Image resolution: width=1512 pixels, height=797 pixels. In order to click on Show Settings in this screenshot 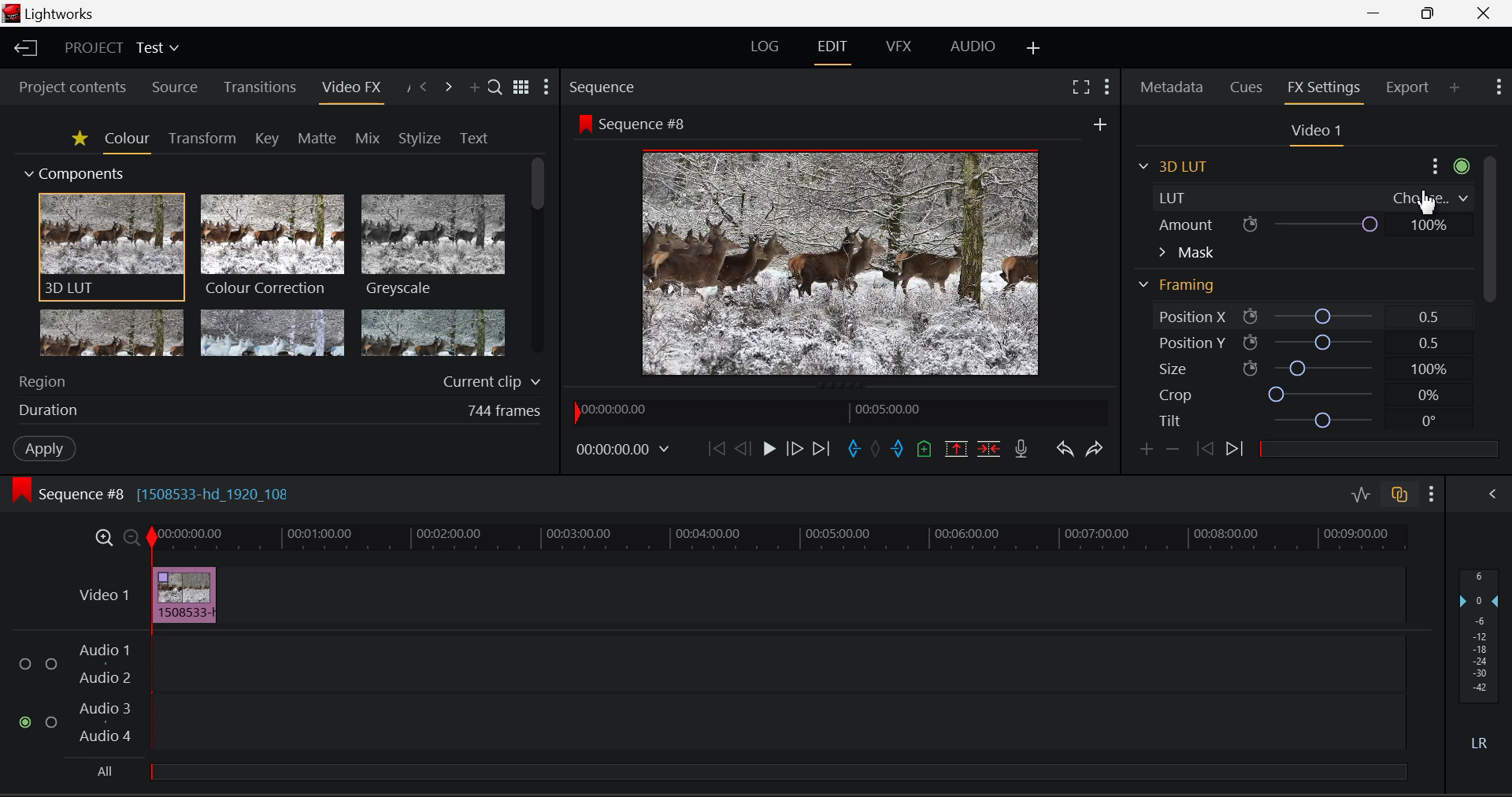, I will do `click(548, 87)`.